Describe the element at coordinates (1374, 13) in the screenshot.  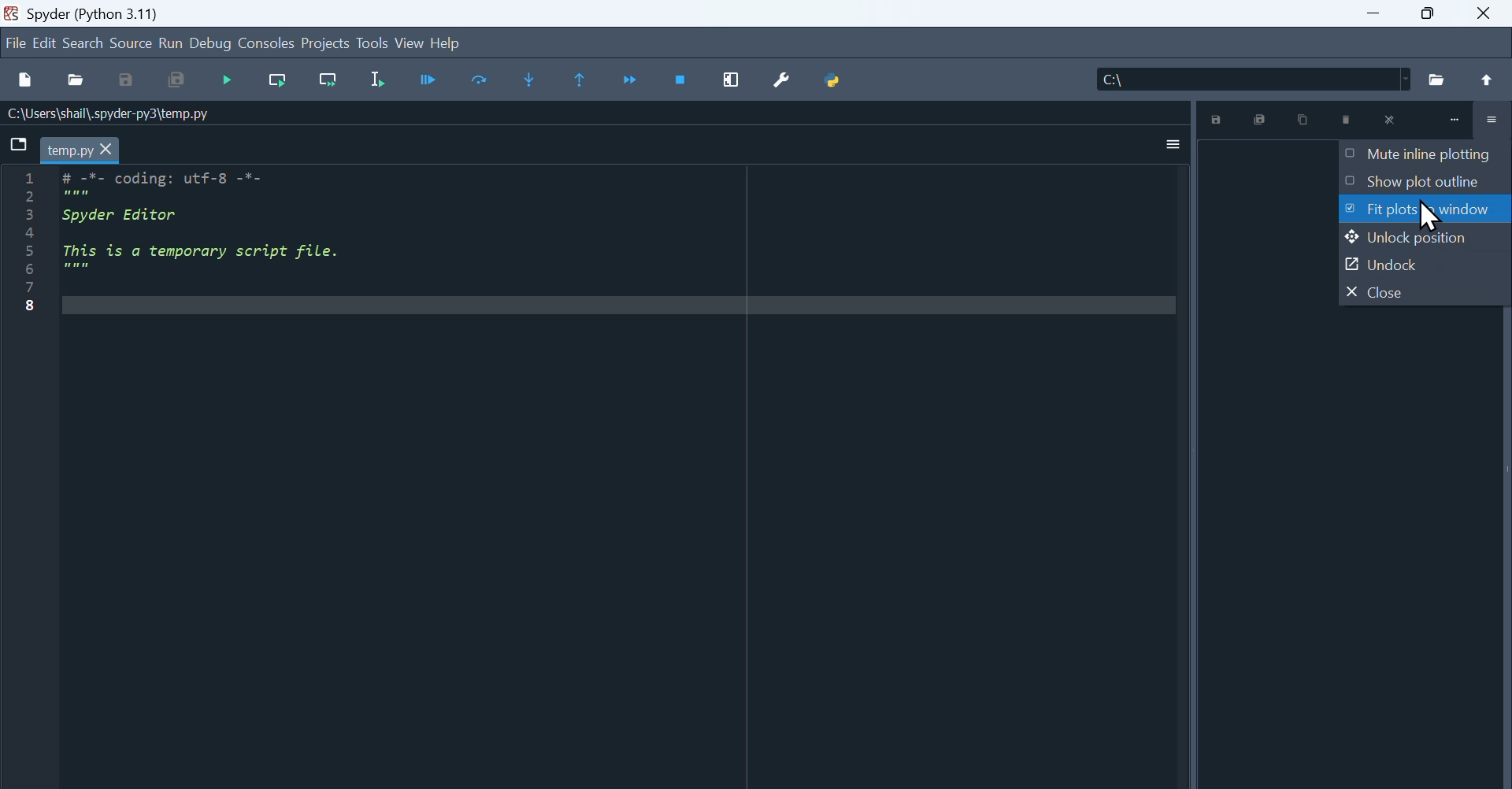
I see `minimise` at that location.